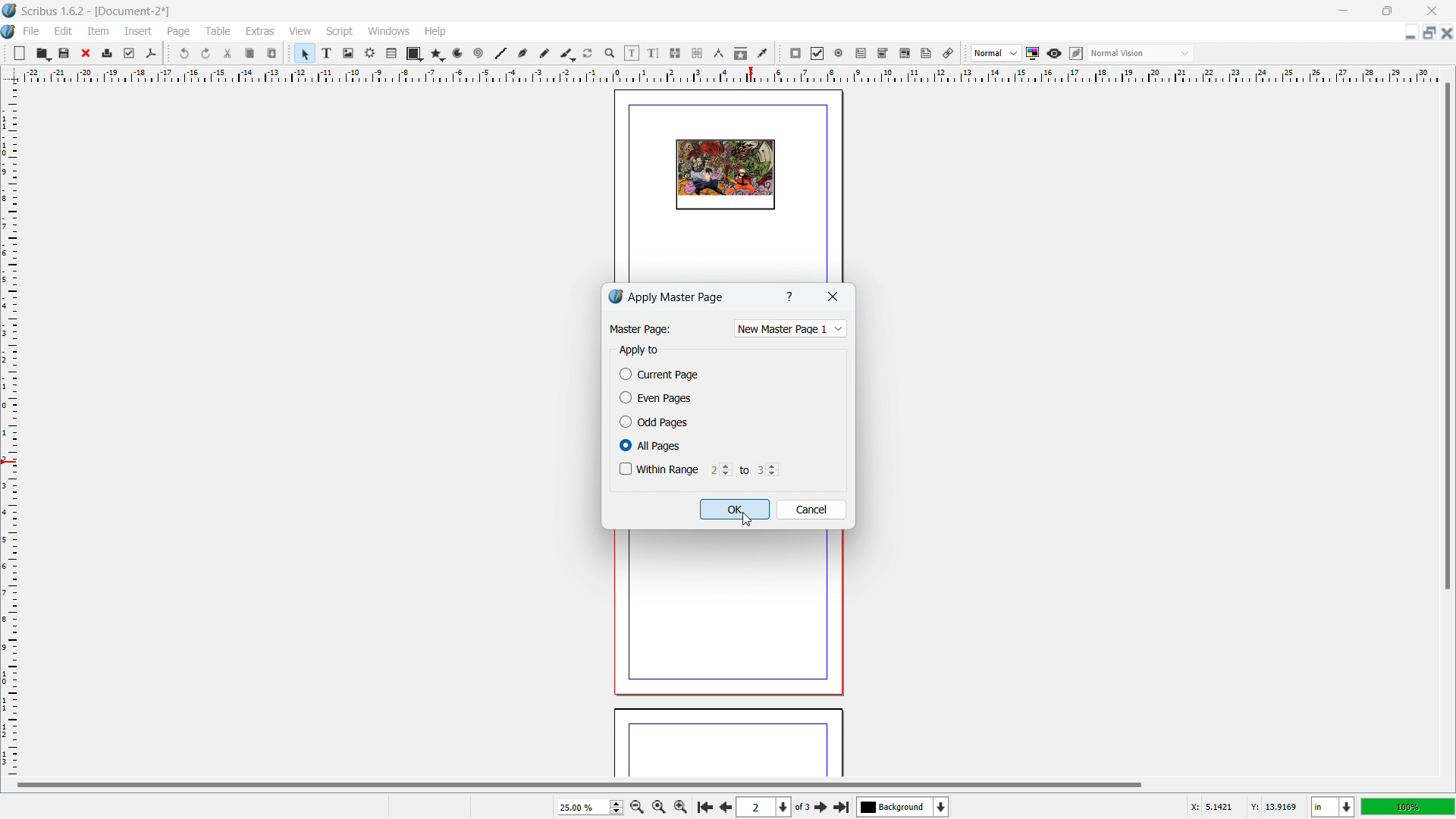  I want to click on eye dropper, so click(764, 52).